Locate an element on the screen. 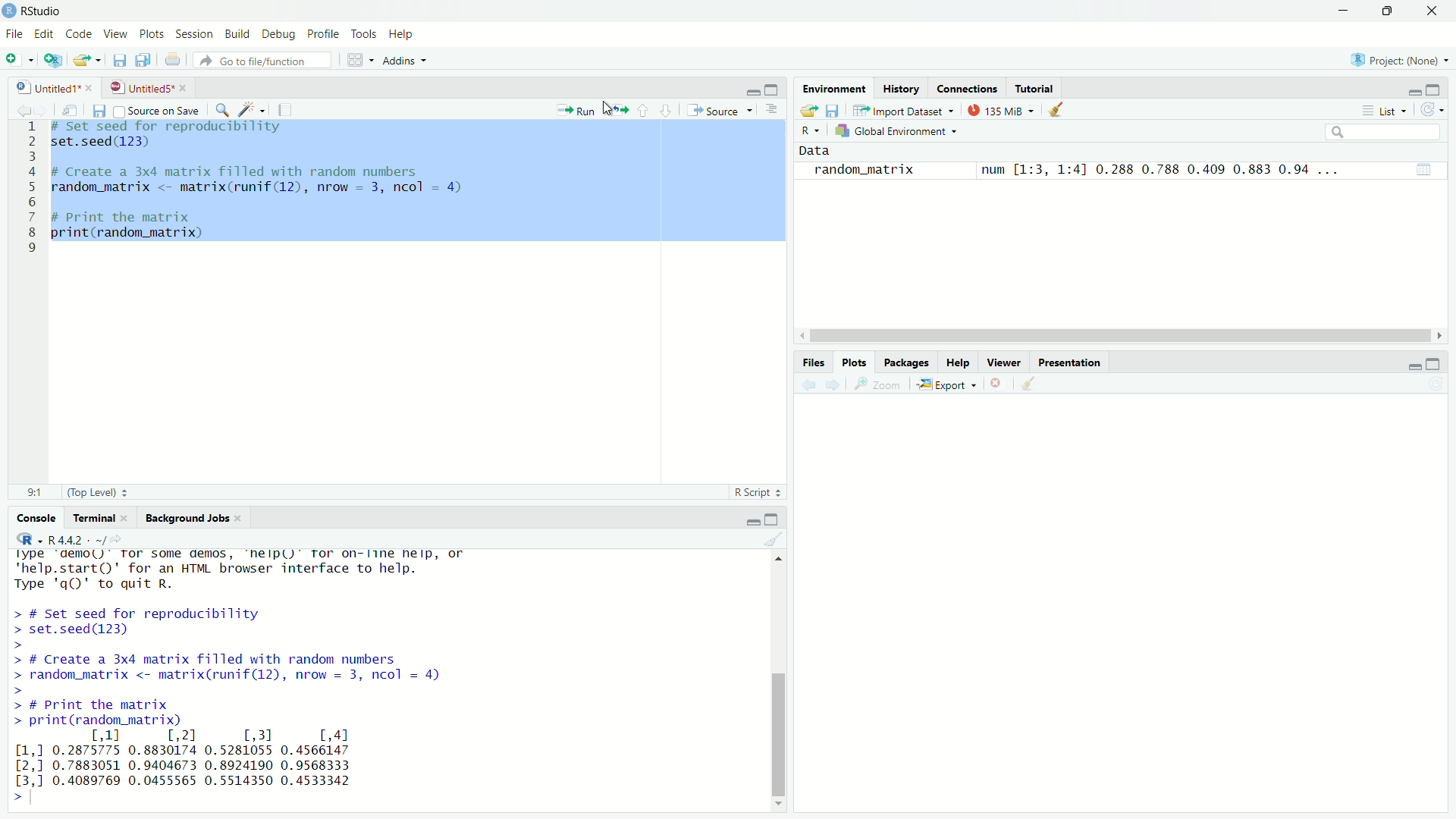 The height and width of the screenshot is (819, 1456). R Script + is located at coordinates (755, 491).